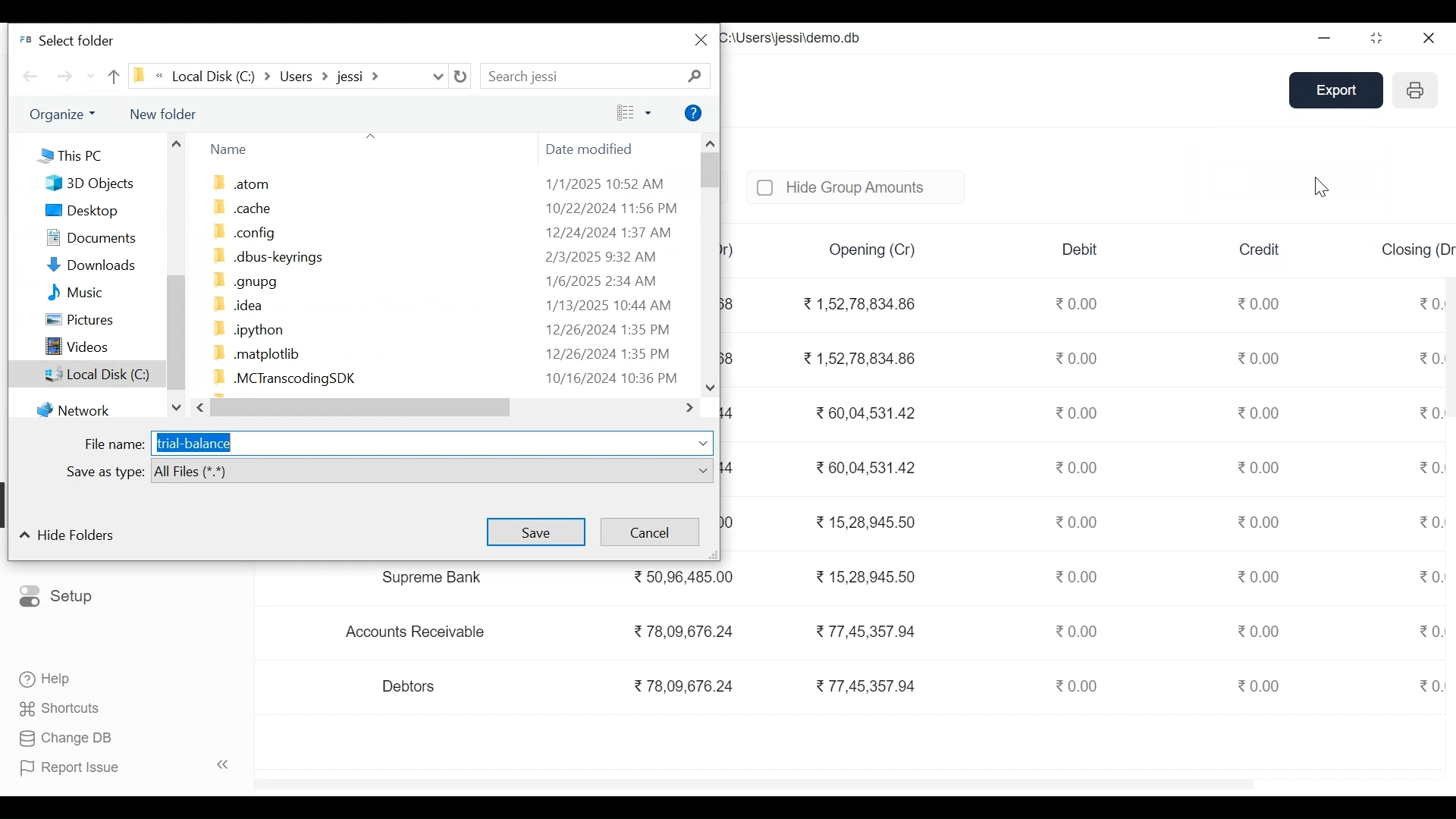 This screenshot has height=819, width=1456. What do you see at coordinates (1259, 631) in the screenshot?
I see `0.00` at bounding box center [1259, 631].